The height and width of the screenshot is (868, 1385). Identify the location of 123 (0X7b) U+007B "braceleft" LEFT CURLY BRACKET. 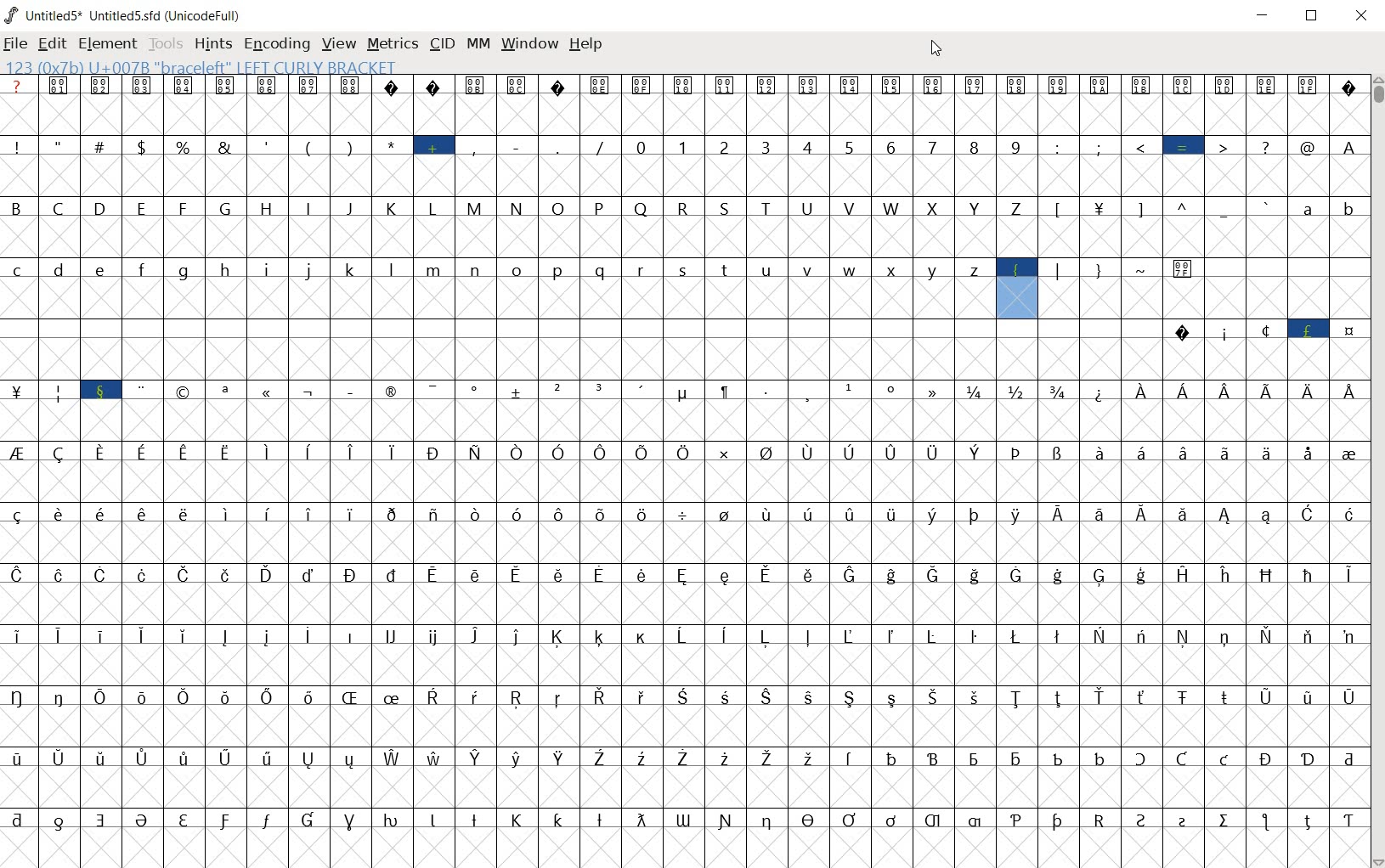
(204, 66).